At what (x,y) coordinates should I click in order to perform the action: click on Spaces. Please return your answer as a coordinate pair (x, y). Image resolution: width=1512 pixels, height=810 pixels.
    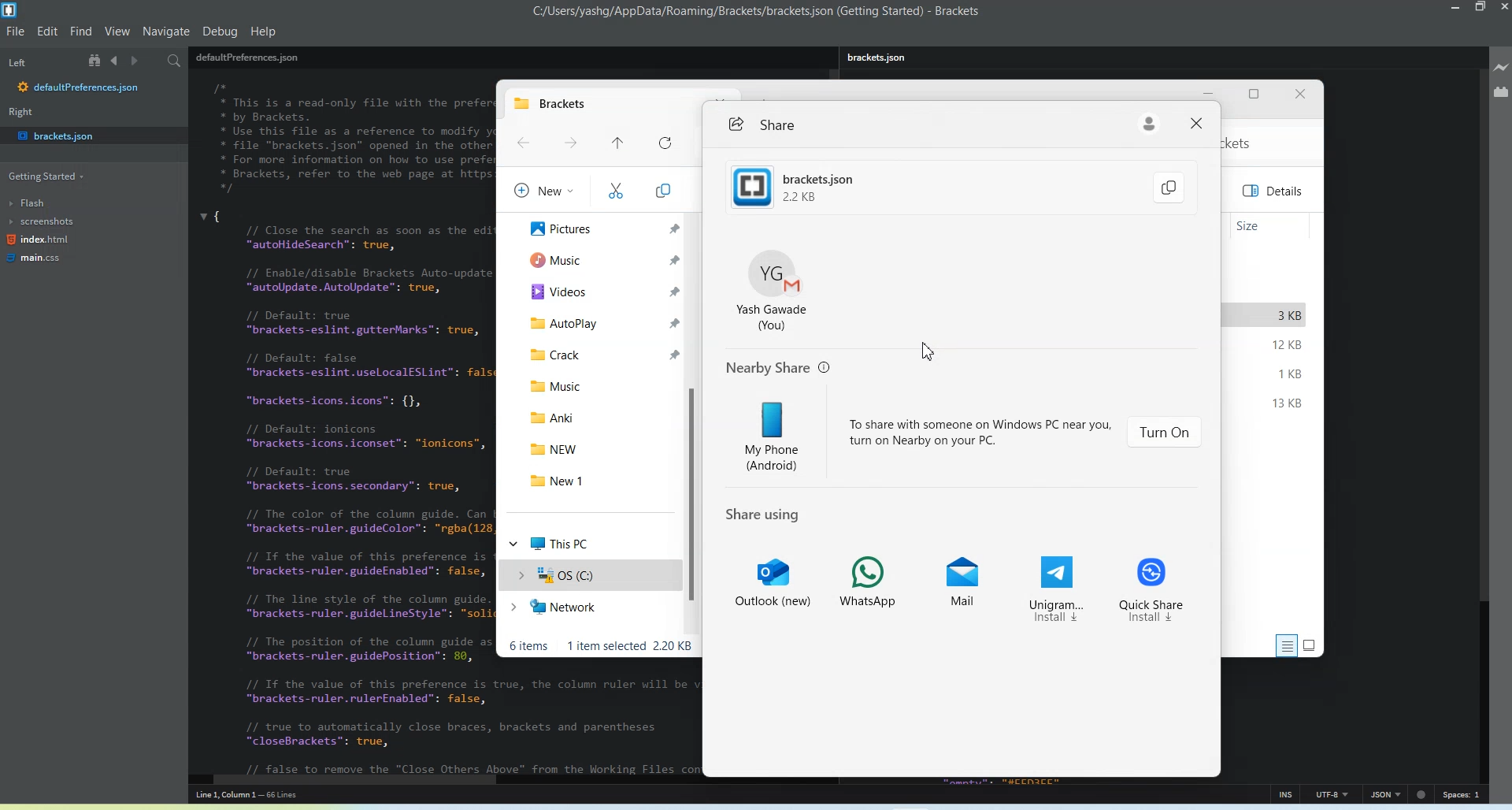
    Looking at the image, I should click on (1463, 794).